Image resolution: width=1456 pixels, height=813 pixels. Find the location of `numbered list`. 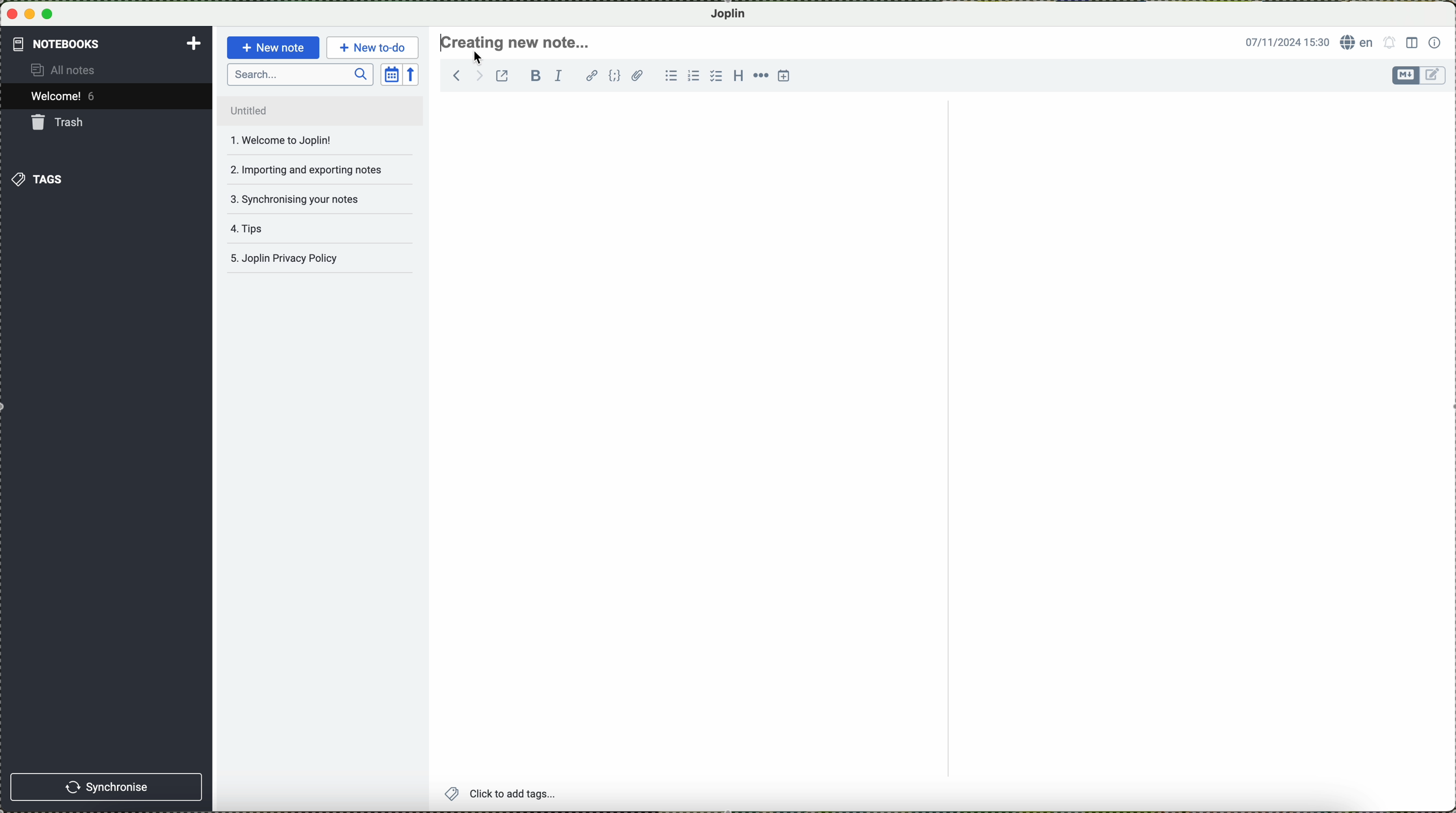

numbered list is located at coordinates (693, 75).